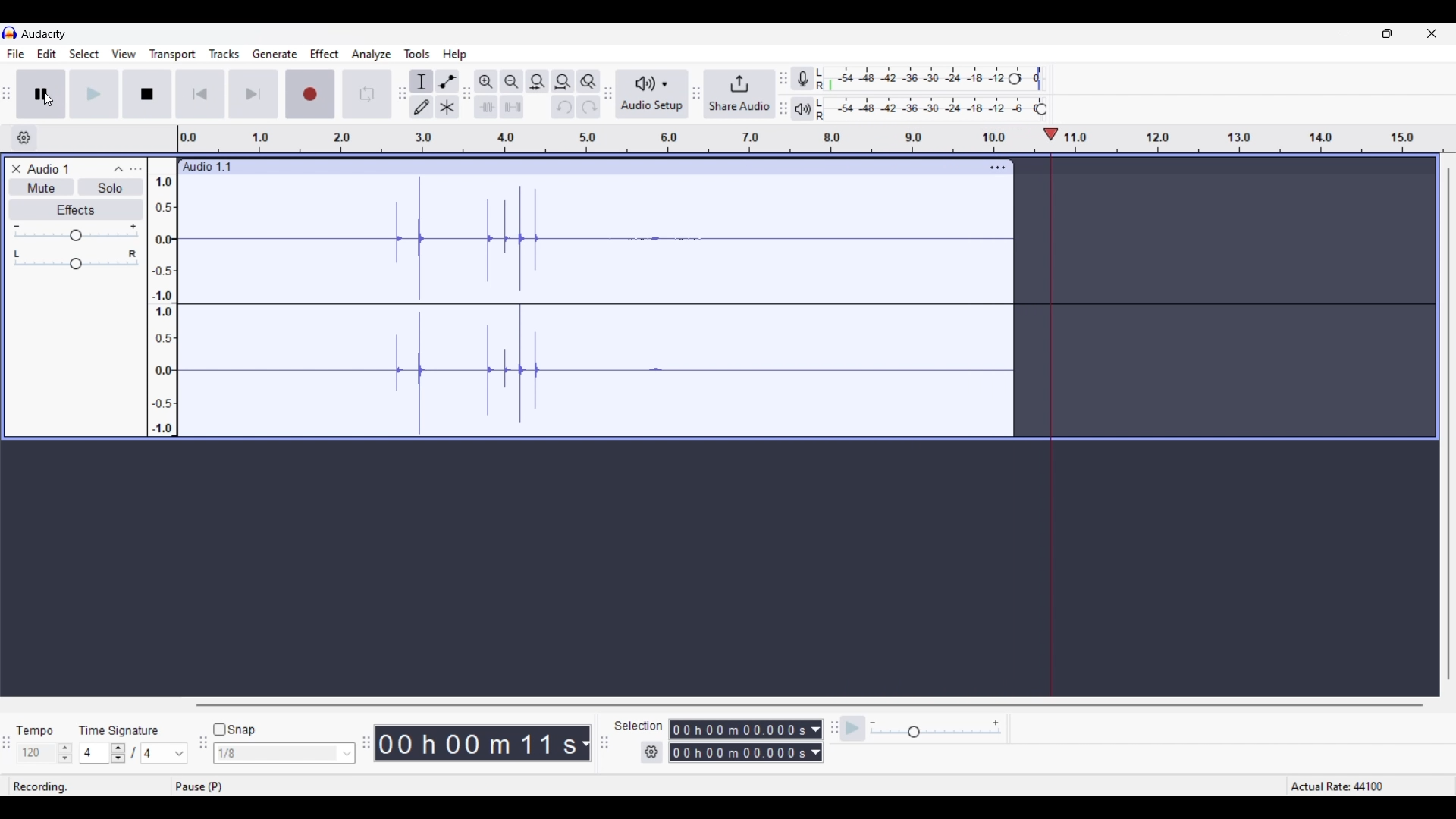 Image resolution: width=1456 pixels, height=819 pixels. I want to click on Show interface in a smaller tab, so click(1388, 33).